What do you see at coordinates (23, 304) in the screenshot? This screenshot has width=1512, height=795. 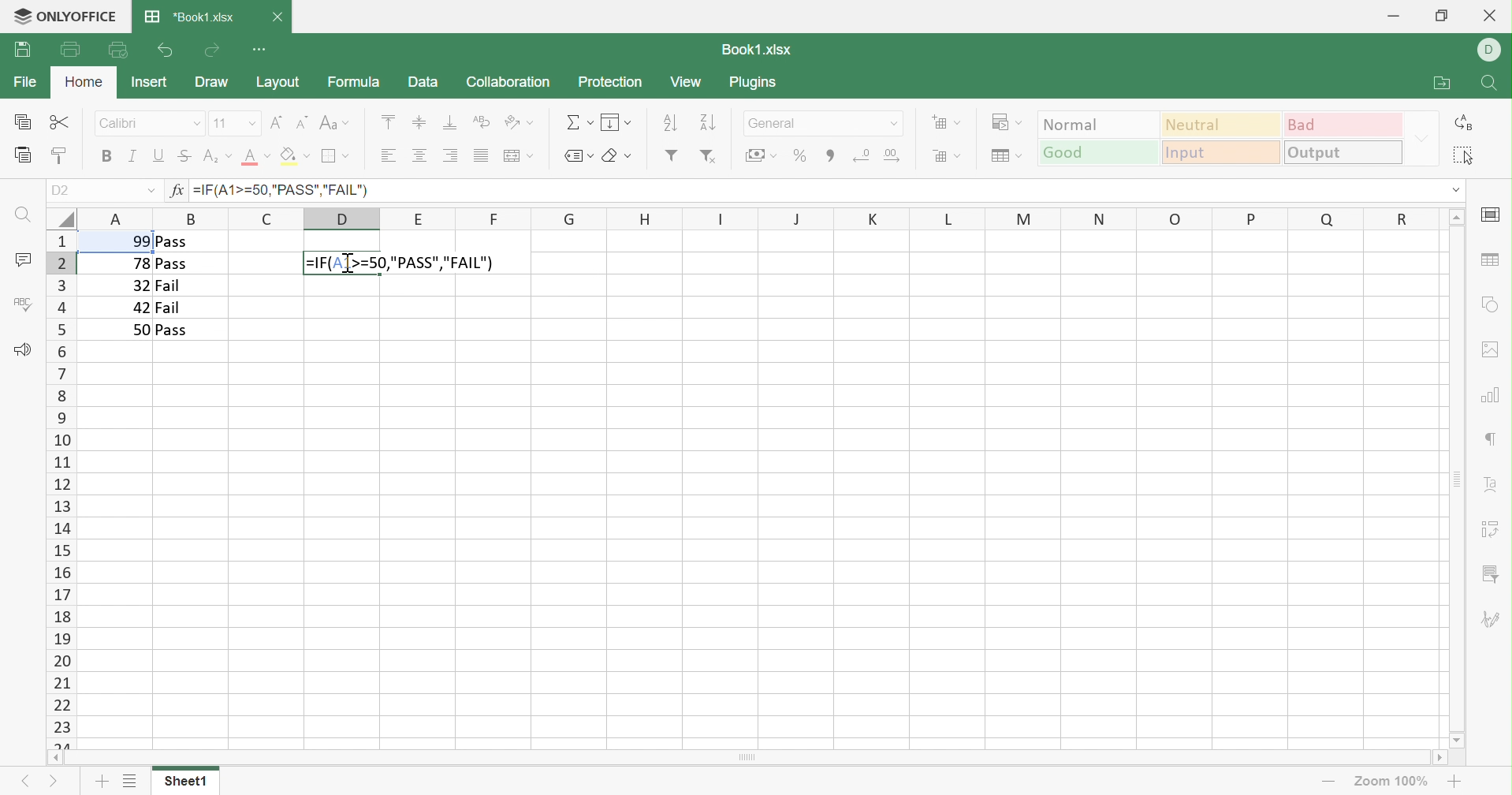 I see `Spell checking` at bounding box center [23, 304].